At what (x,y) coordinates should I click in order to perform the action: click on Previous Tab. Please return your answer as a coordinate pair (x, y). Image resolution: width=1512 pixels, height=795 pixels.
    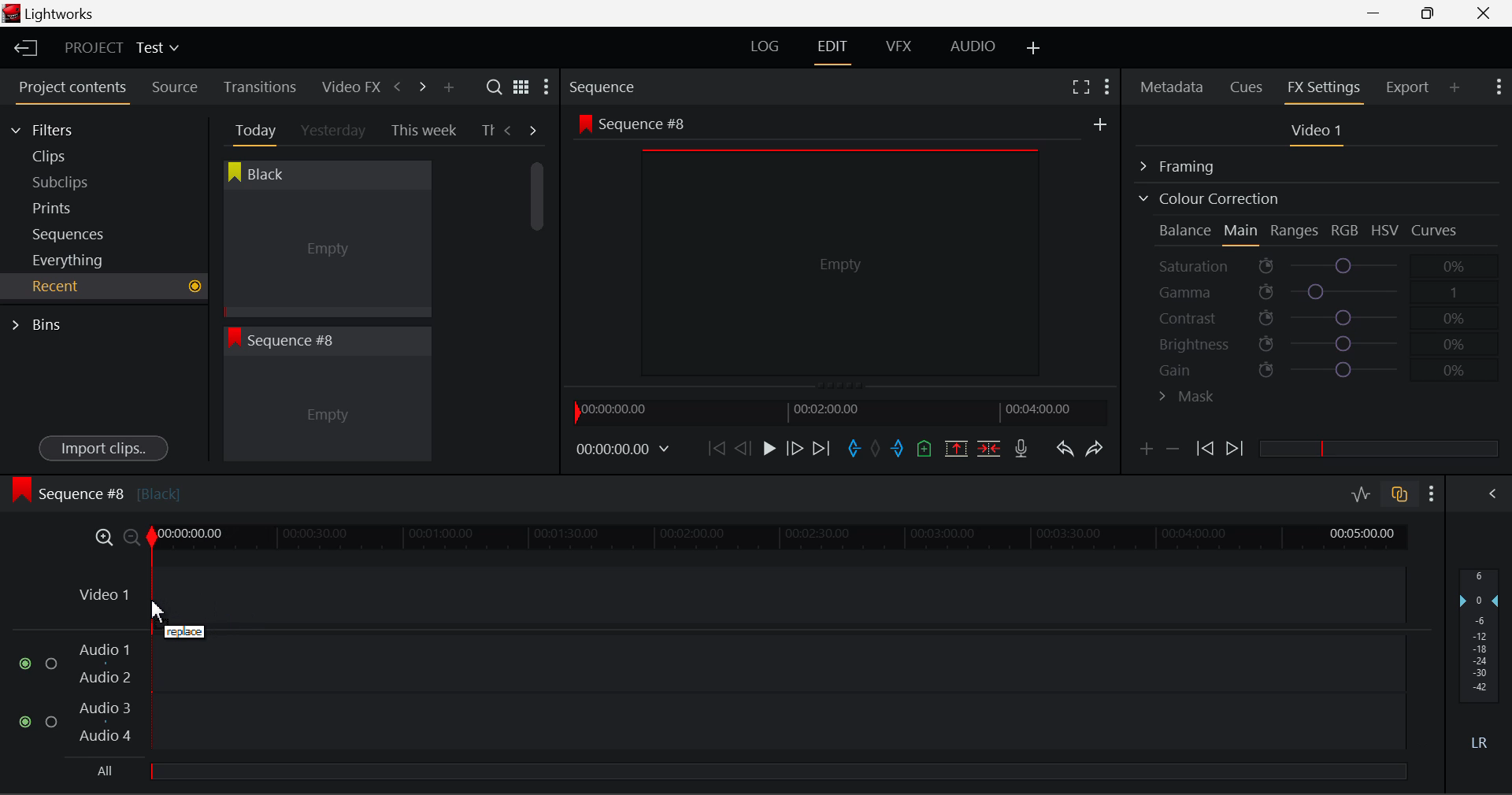
    Looking at the image, I should click on (510, 130).